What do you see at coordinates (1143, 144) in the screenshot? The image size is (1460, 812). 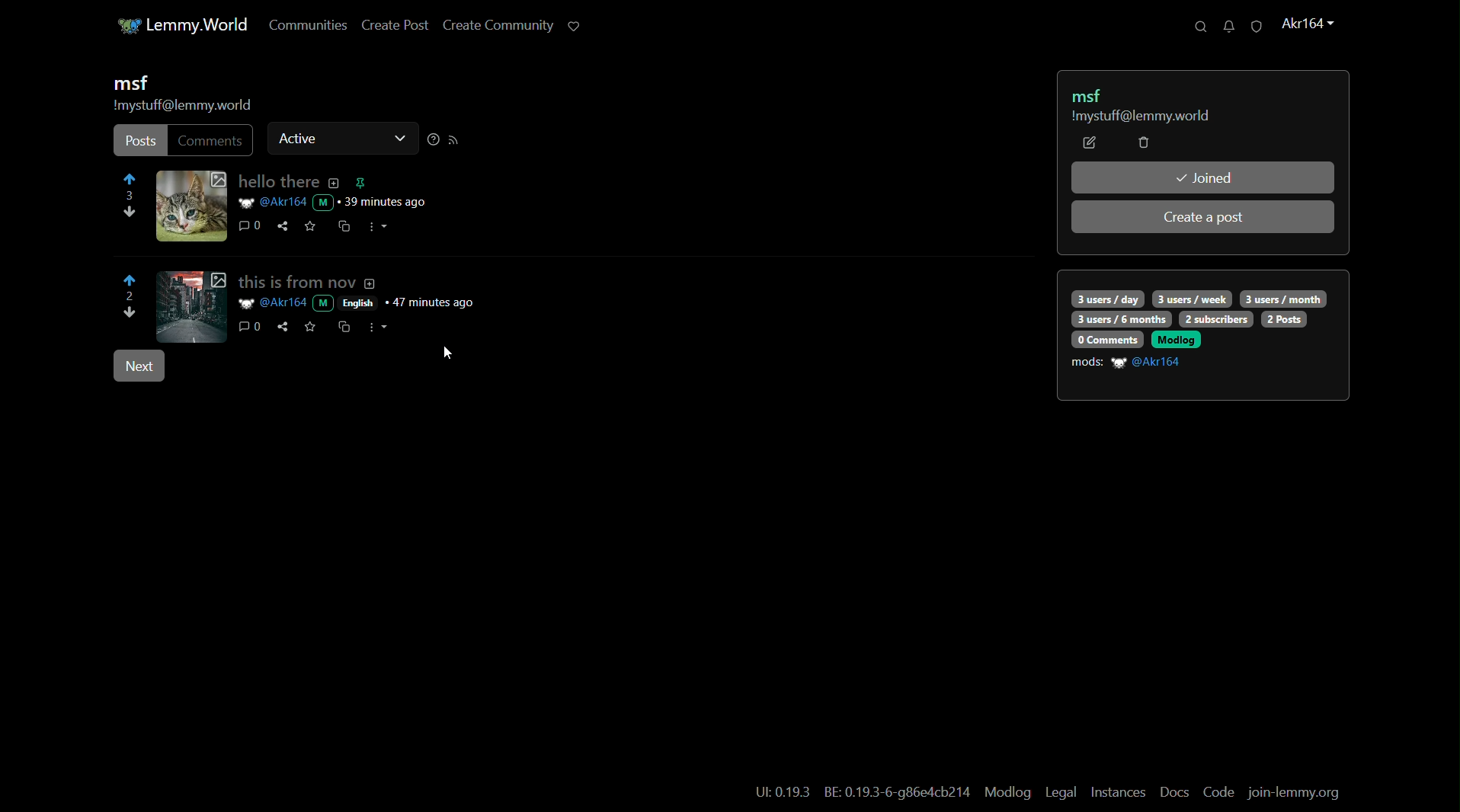 I see `delete` at bounding box center [1143, 144].